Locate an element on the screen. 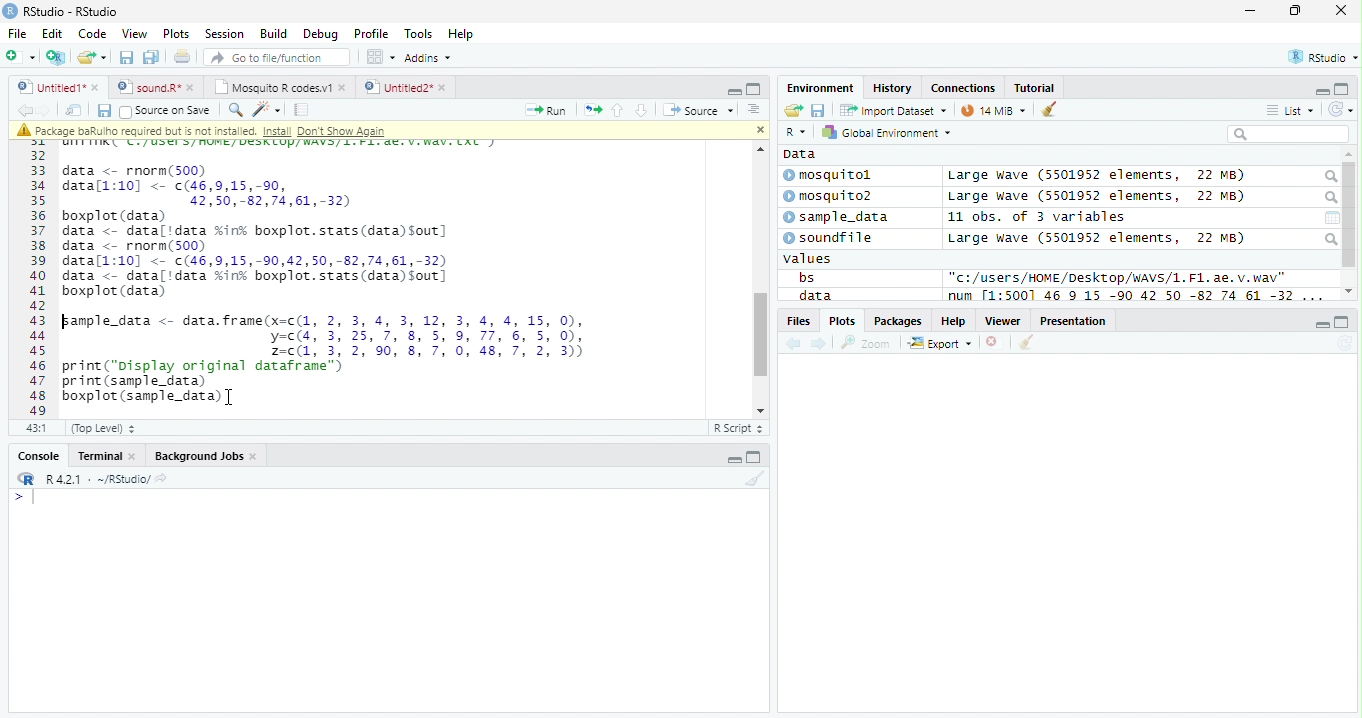 This screenshot has width=1362, height=718. Large wave (5501952 elements, 22 MB) is located at coordinates (1096, 176).